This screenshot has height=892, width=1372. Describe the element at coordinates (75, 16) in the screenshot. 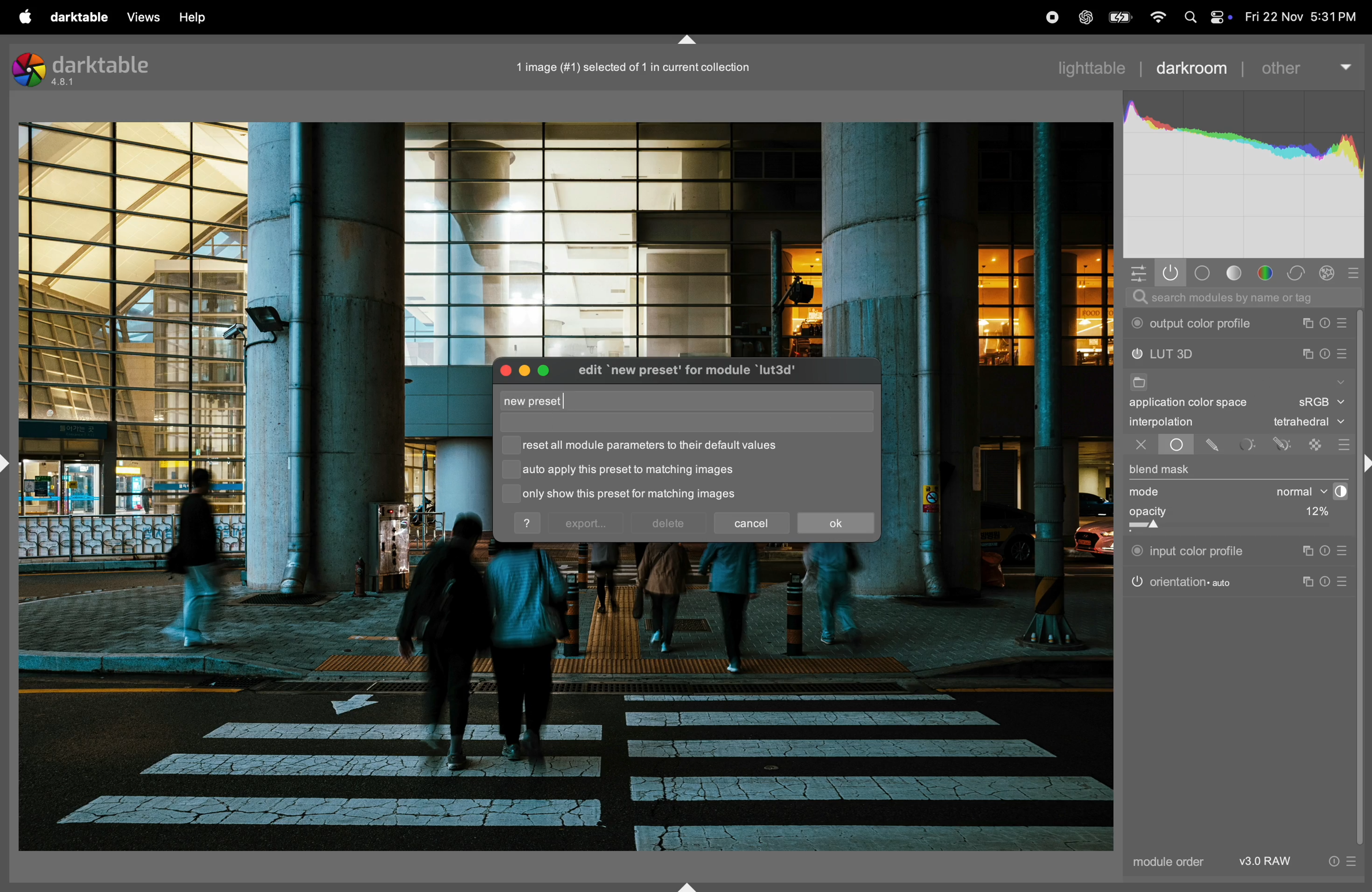

I see `darktable` at that location.